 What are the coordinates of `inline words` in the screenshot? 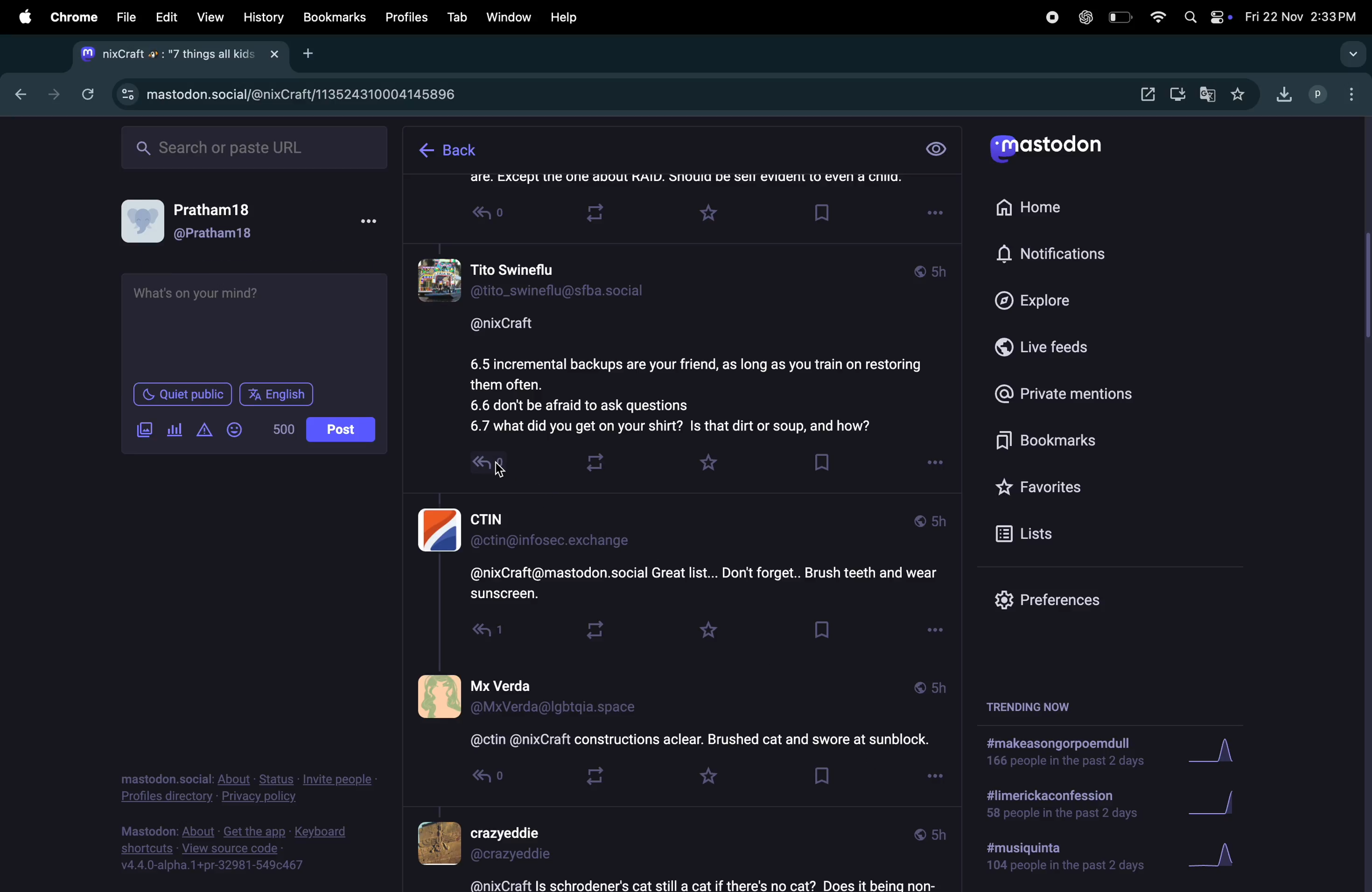 It's located at (278, 428).